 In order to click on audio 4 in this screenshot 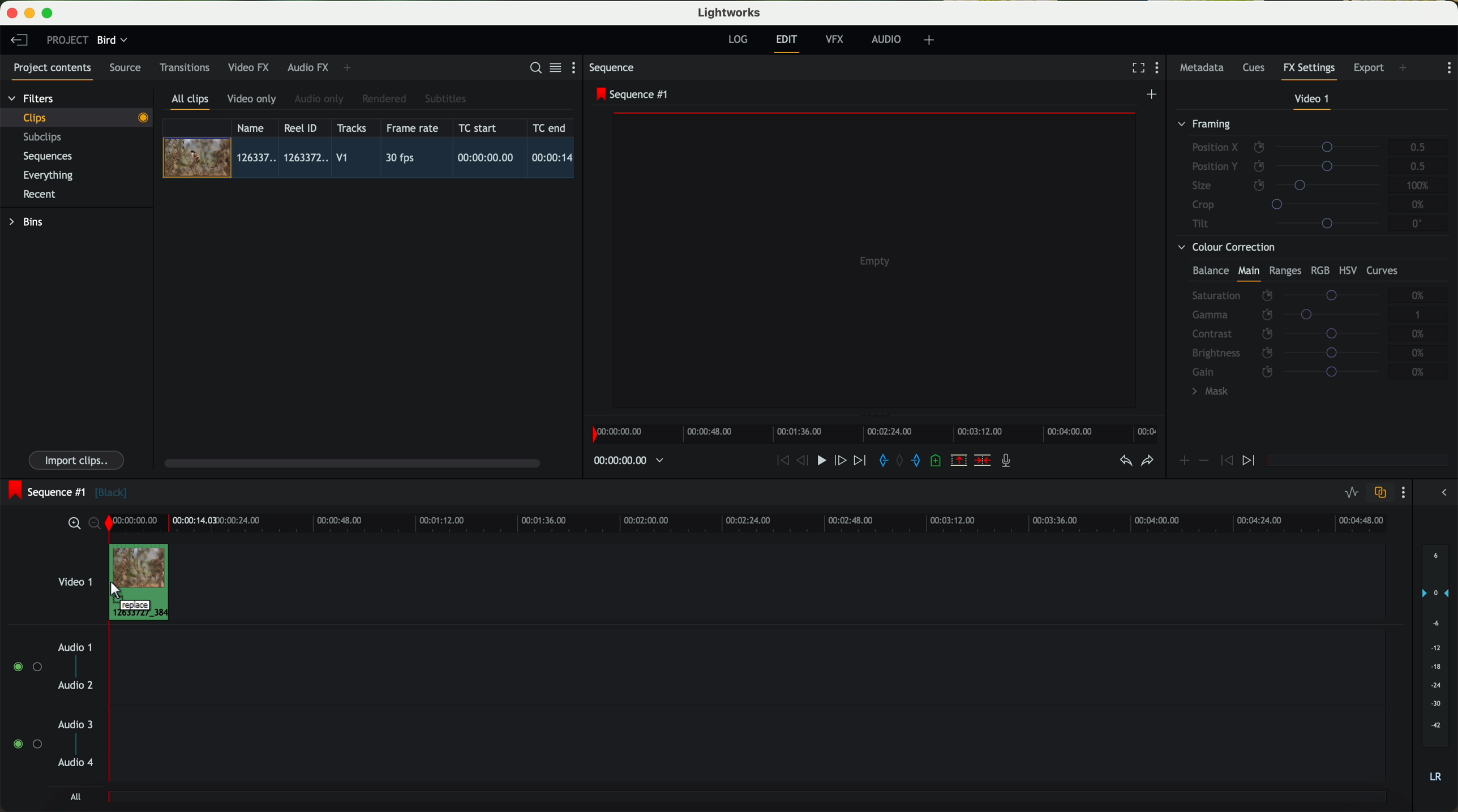, I will do `click(76, 763)`.